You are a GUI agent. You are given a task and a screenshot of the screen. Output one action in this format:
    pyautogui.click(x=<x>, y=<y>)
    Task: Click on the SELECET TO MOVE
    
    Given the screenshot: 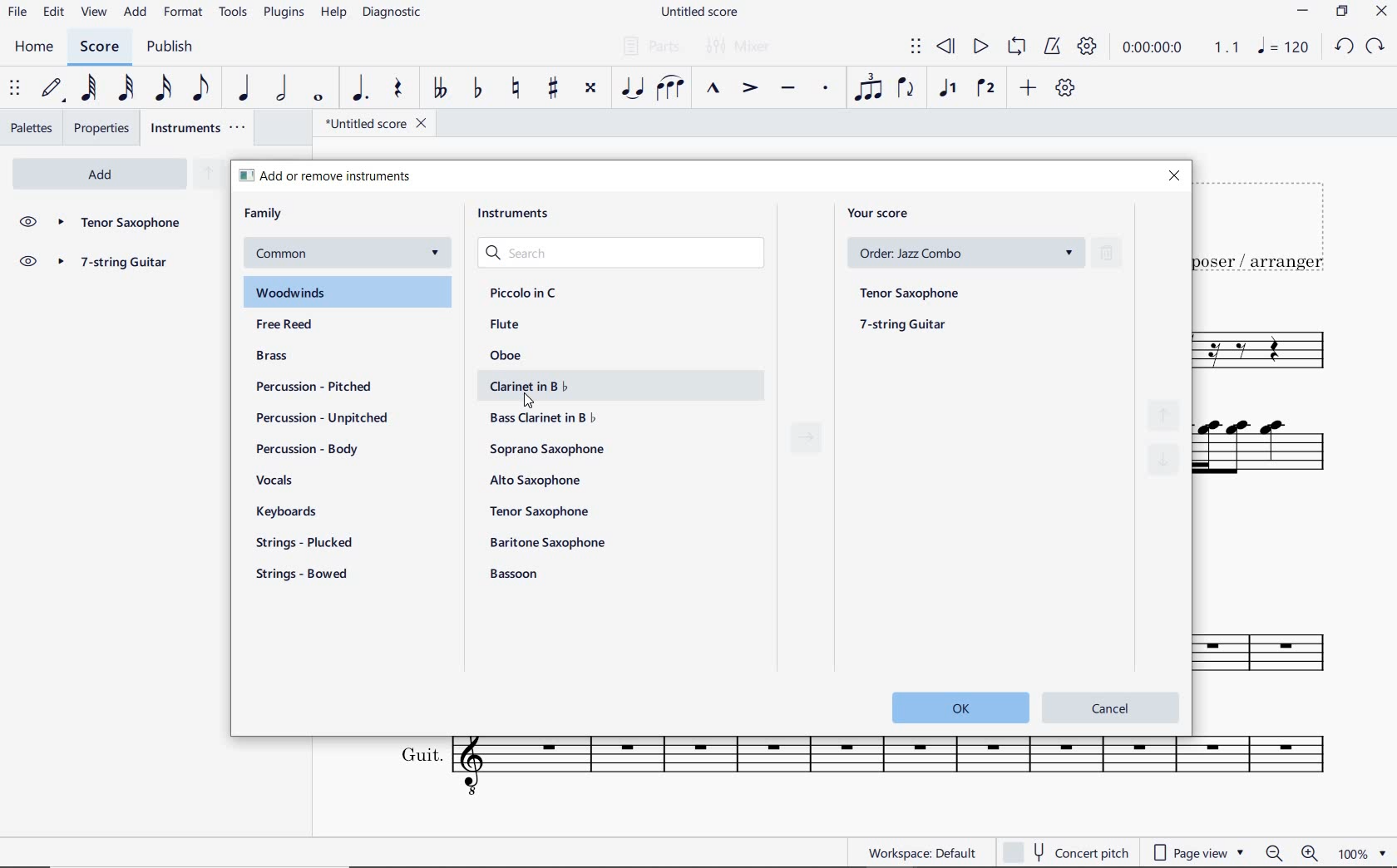 What is the action you would take?
    pyautogui.click(x=15, y=89)
    